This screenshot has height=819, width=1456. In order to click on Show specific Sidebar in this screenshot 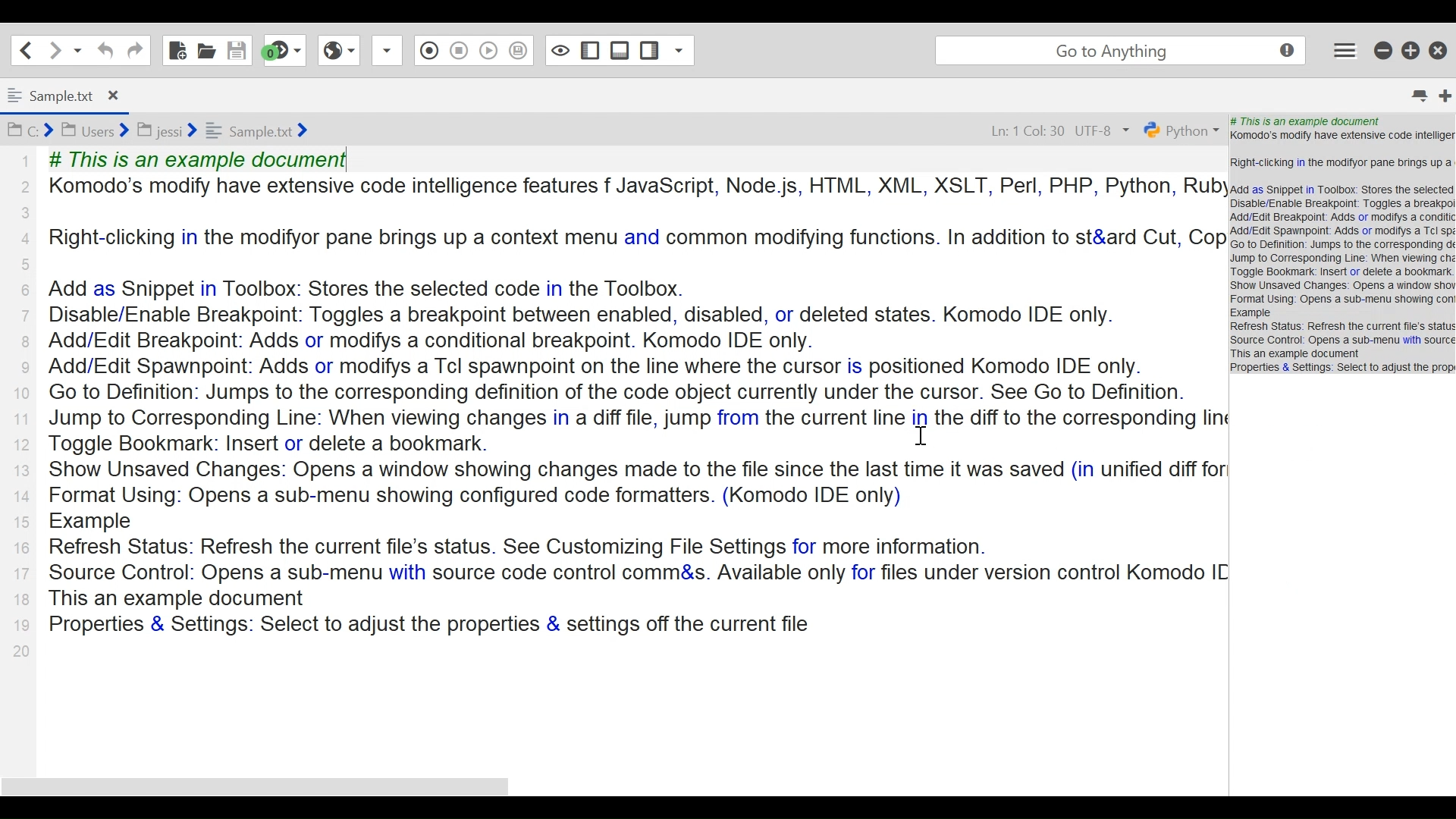, I will do `click(665, 48)`.